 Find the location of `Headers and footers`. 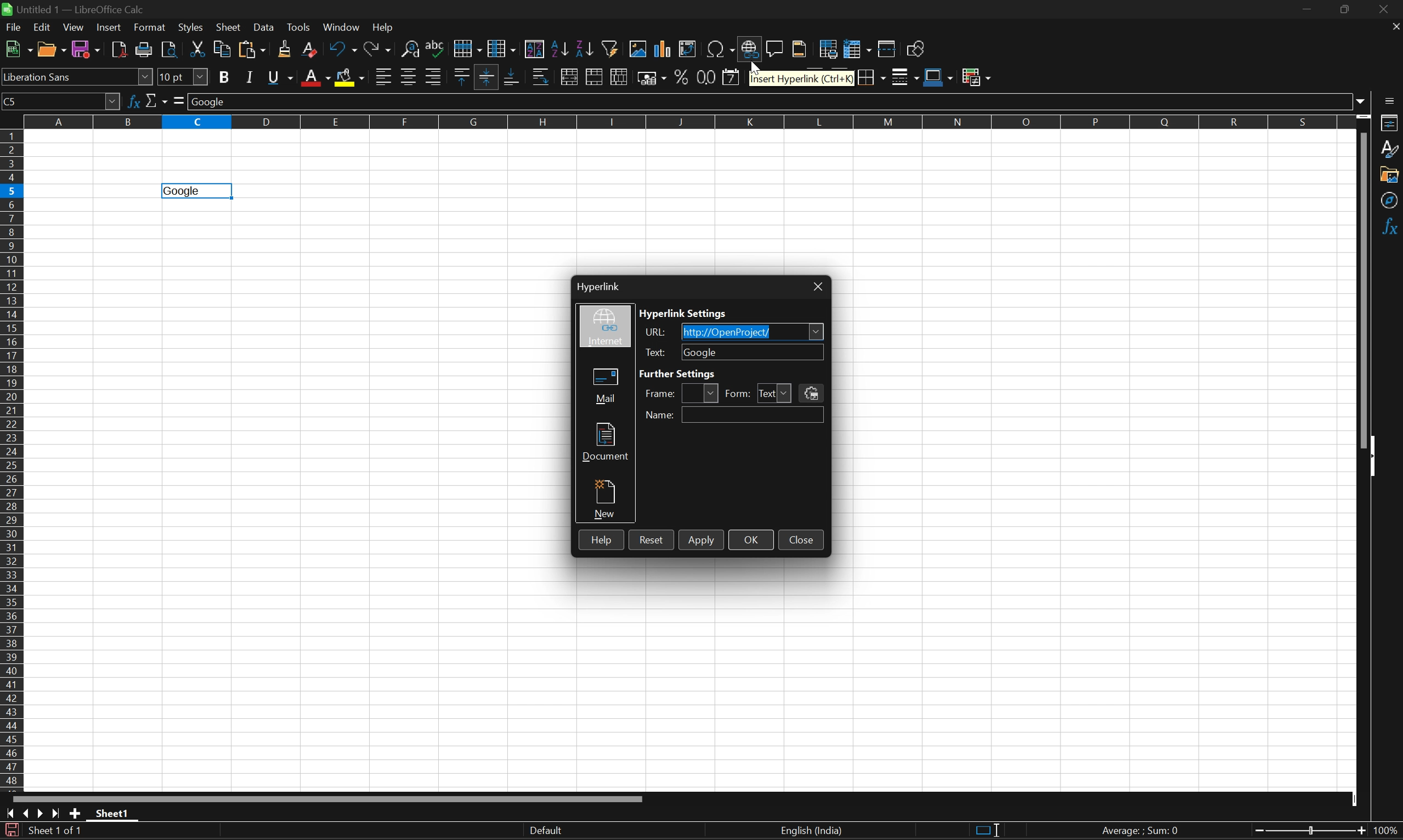

Headers and footers is located at coordinates (800, 48).